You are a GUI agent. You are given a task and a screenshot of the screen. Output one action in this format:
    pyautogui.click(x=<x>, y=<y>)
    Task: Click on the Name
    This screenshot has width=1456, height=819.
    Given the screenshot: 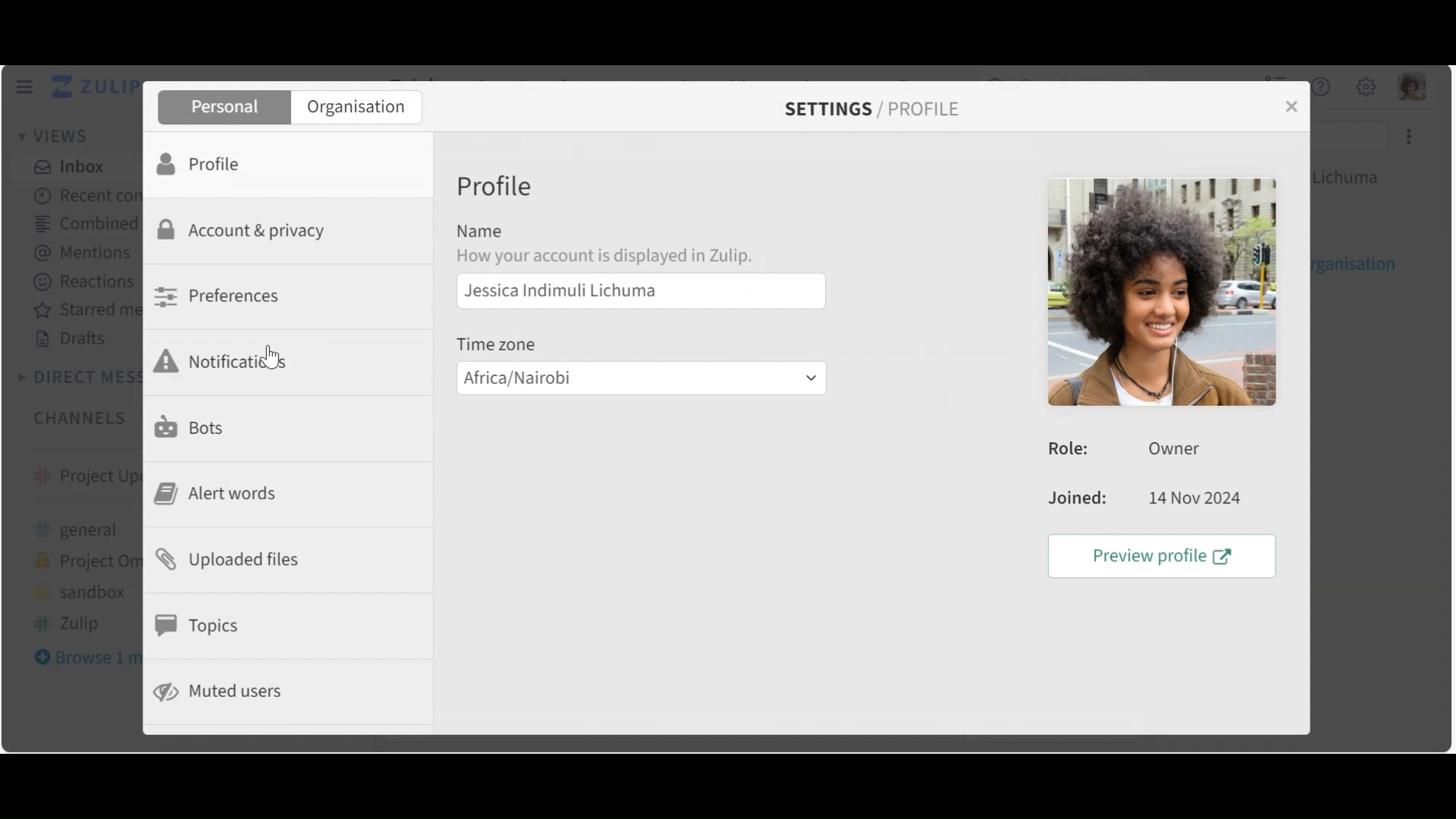 What is the action you would take?
    pyautogui.click(x=481, y=231)
    